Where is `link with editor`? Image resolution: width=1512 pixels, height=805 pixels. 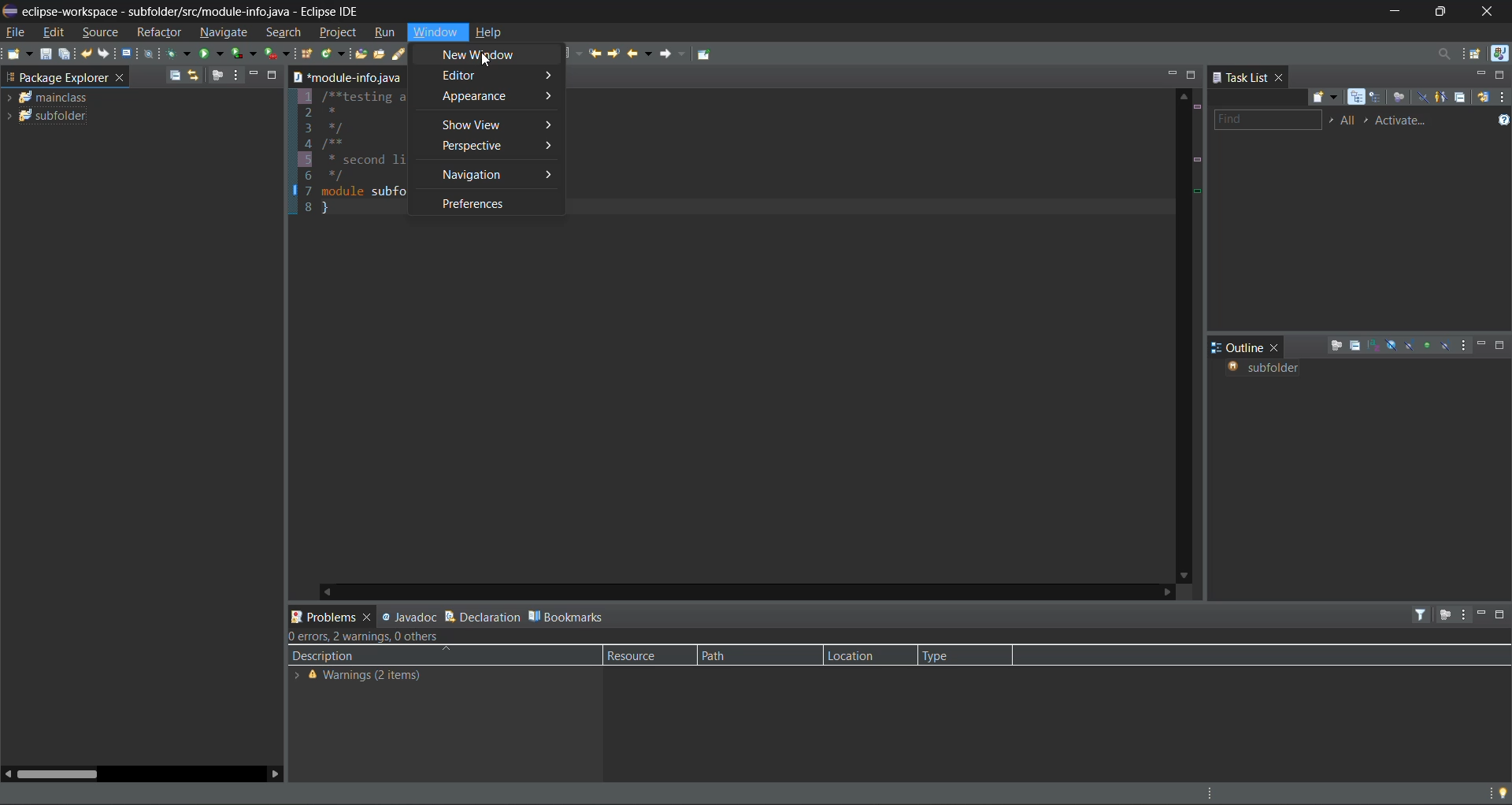
link with editor is located at coordinates (197, 75).